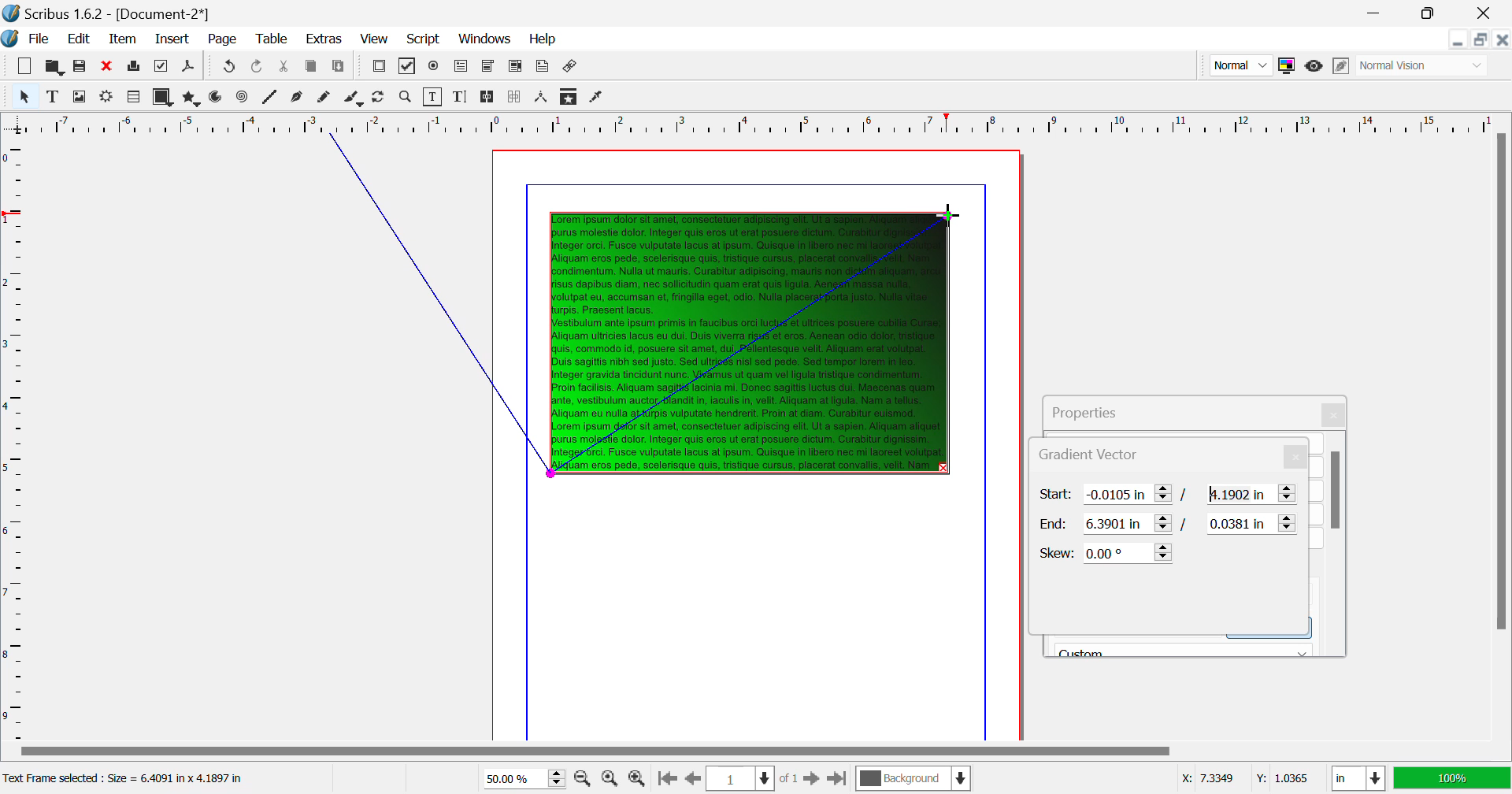 This screenshot has width=1512, height=794. What do you see at coordinates (570, 96) in the screenshot?
I see `Copy Item Properties` at bounding box center [570, 96].